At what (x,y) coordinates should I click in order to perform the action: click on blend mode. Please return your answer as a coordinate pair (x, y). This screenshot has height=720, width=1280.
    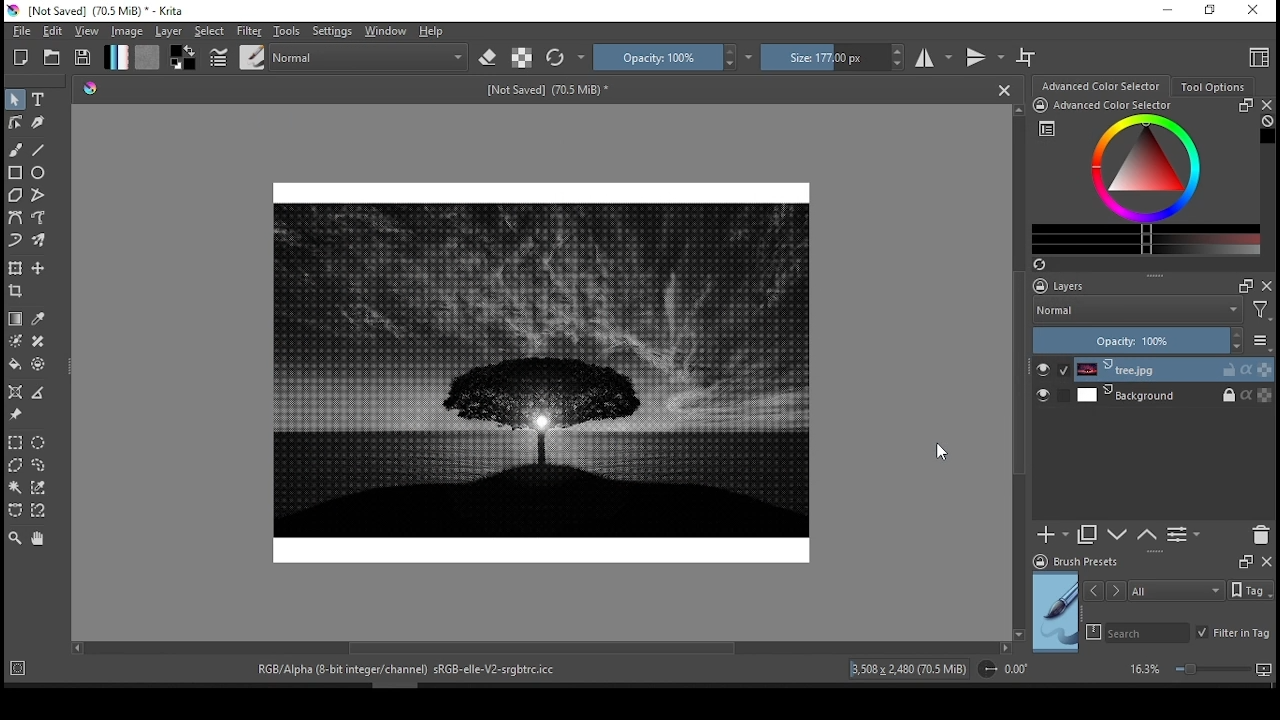
    Looking at the image, I should click on (1154, 310).